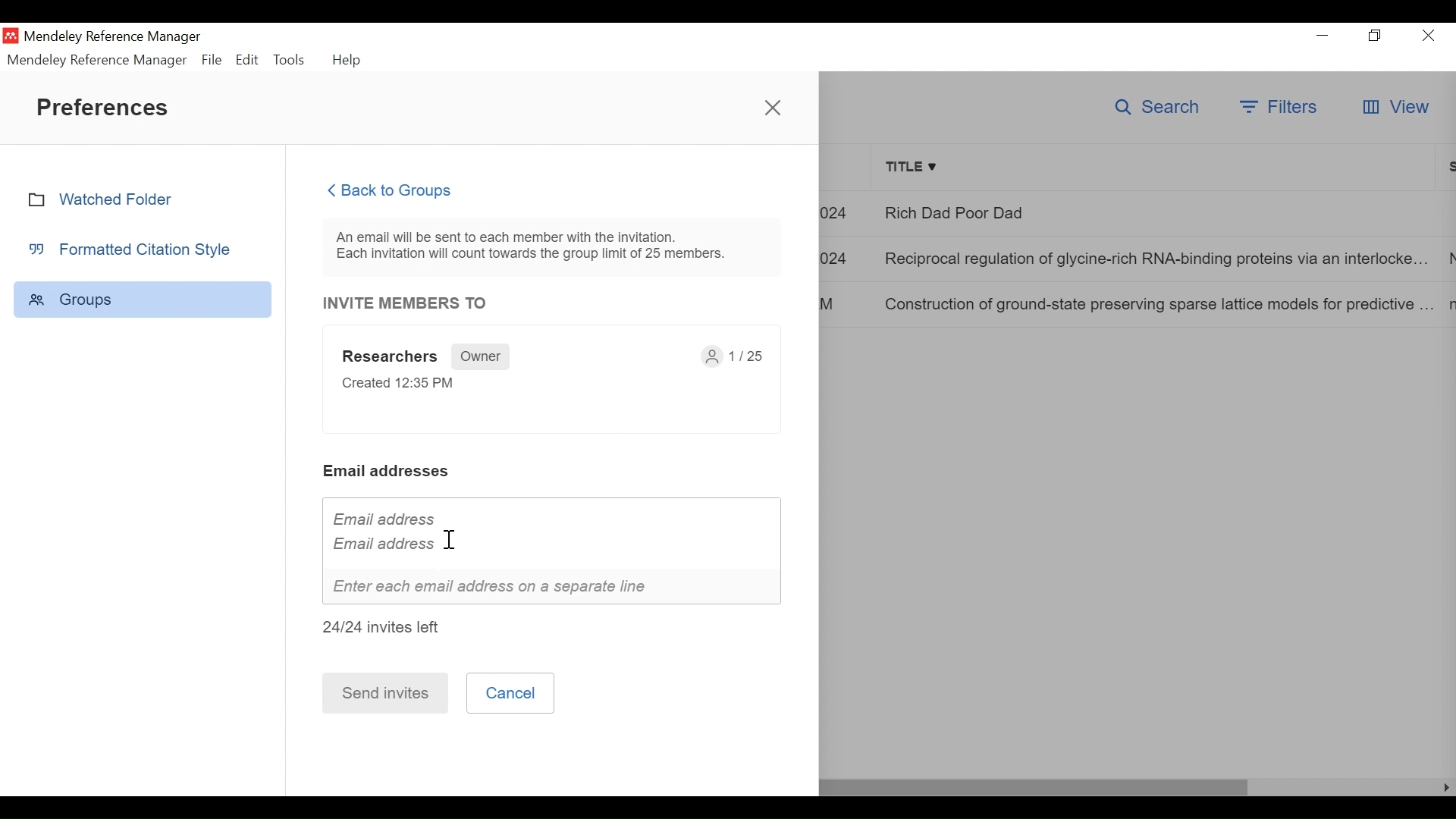  Describe the element at coordinates (391, 629) in the screenshot. I see `24/24 invites left` at that location.